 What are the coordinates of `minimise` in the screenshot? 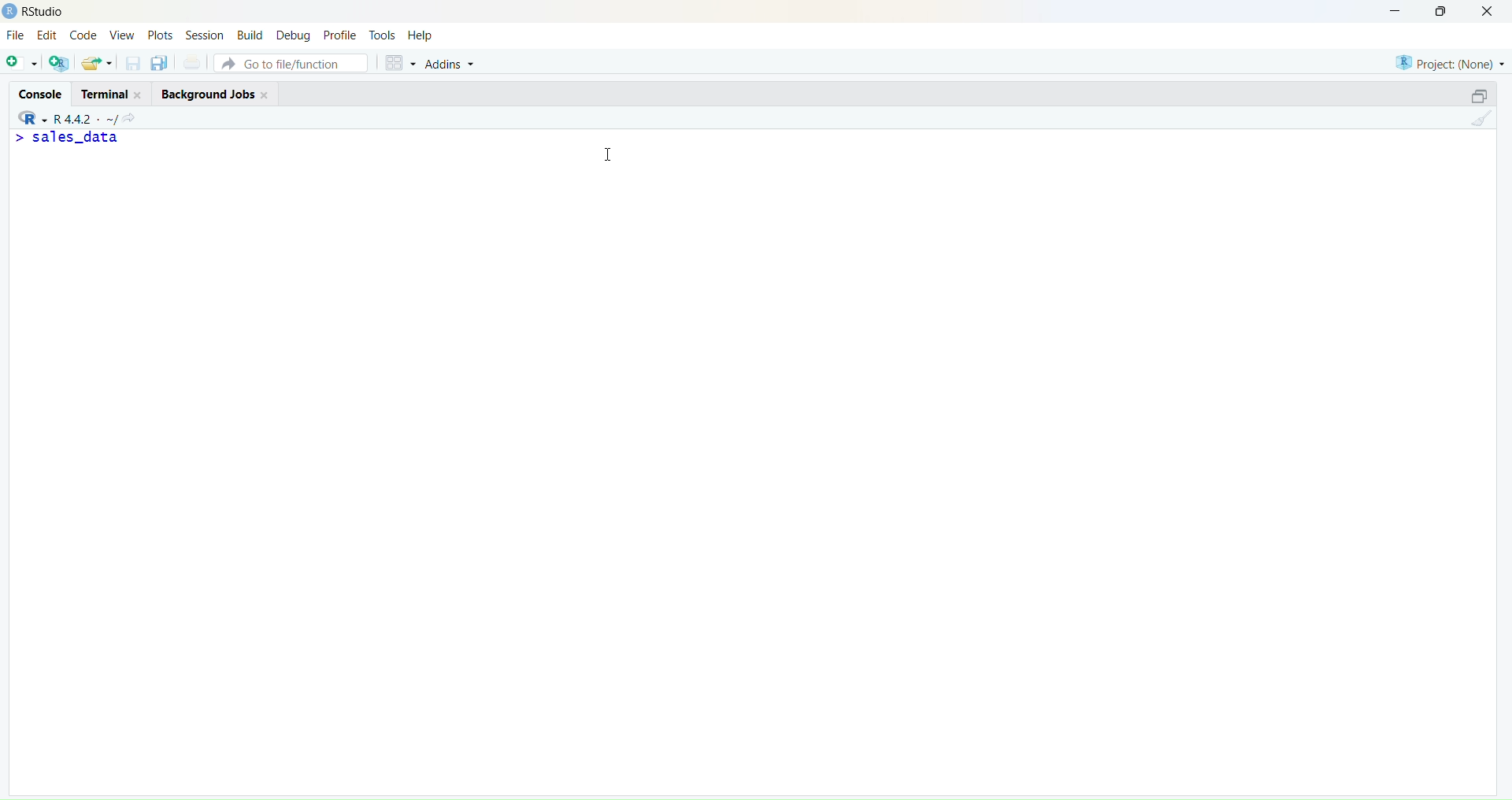 It's located at (1385, 9).